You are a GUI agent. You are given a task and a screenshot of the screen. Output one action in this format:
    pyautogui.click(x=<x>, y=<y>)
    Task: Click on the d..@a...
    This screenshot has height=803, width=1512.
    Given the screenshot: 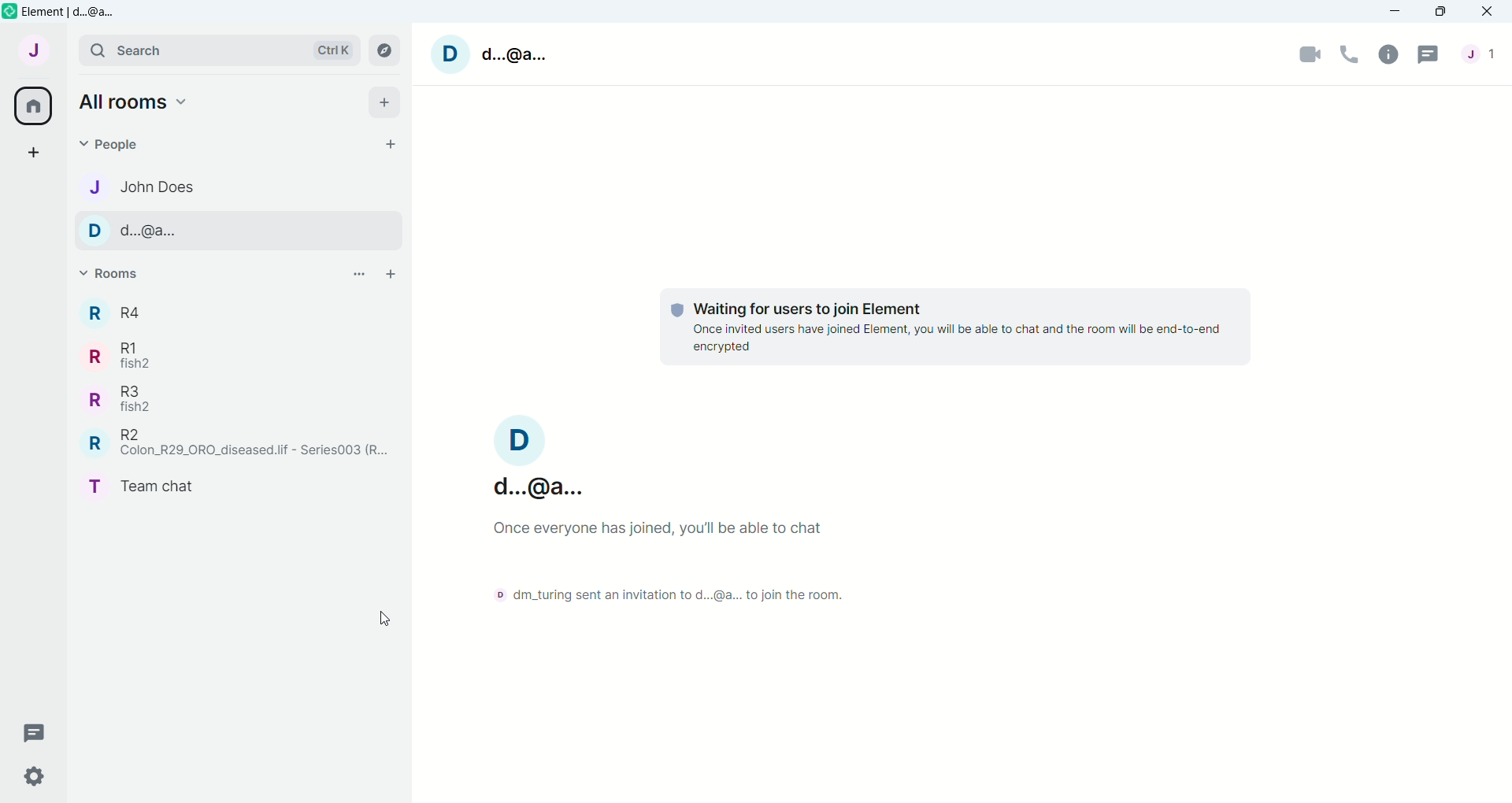 What is the action you would take?
    pyautogui.click(x=516, y=56)
    